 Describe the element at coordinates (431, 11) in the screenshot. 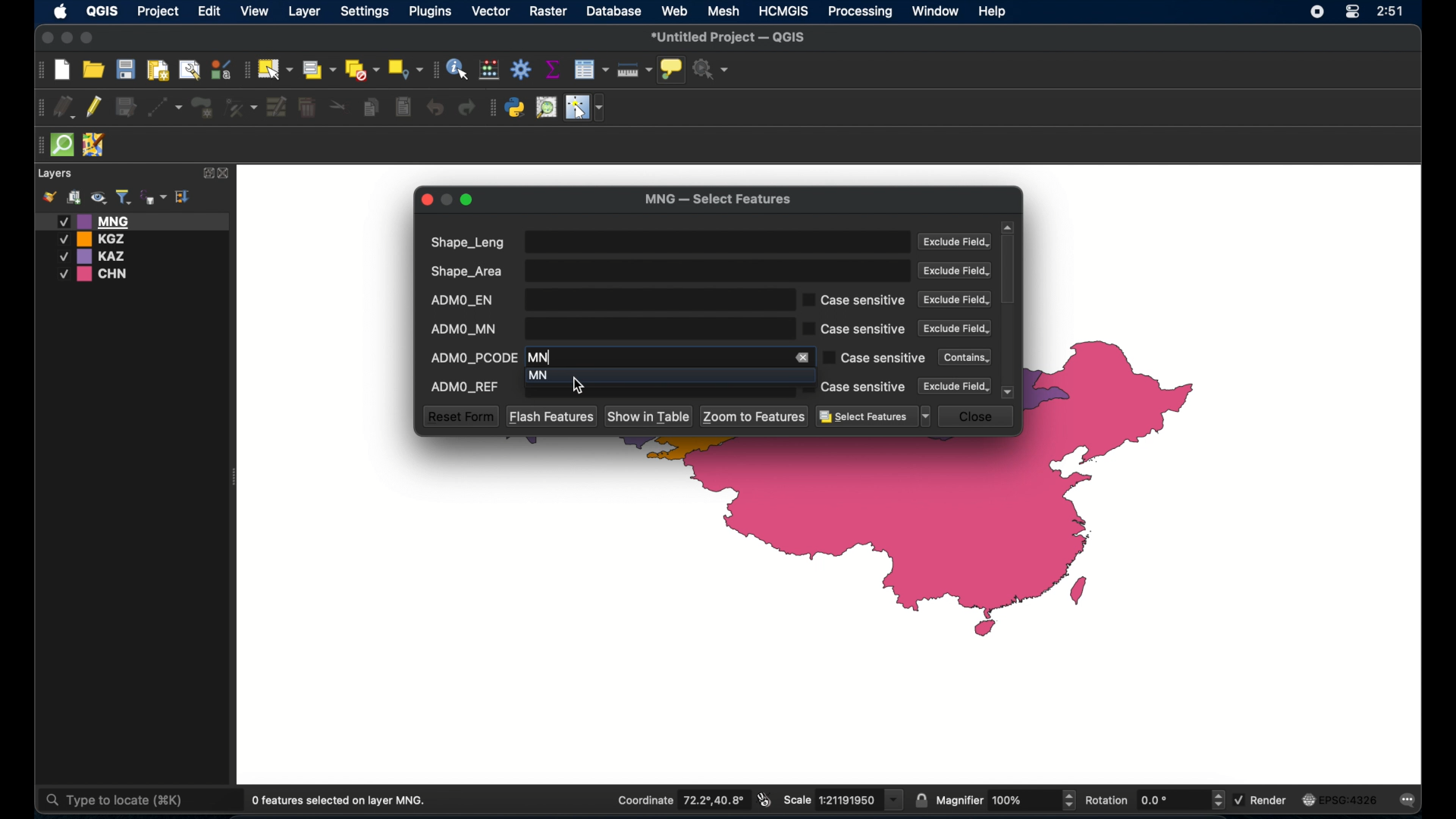

I see `plugins` at that location.